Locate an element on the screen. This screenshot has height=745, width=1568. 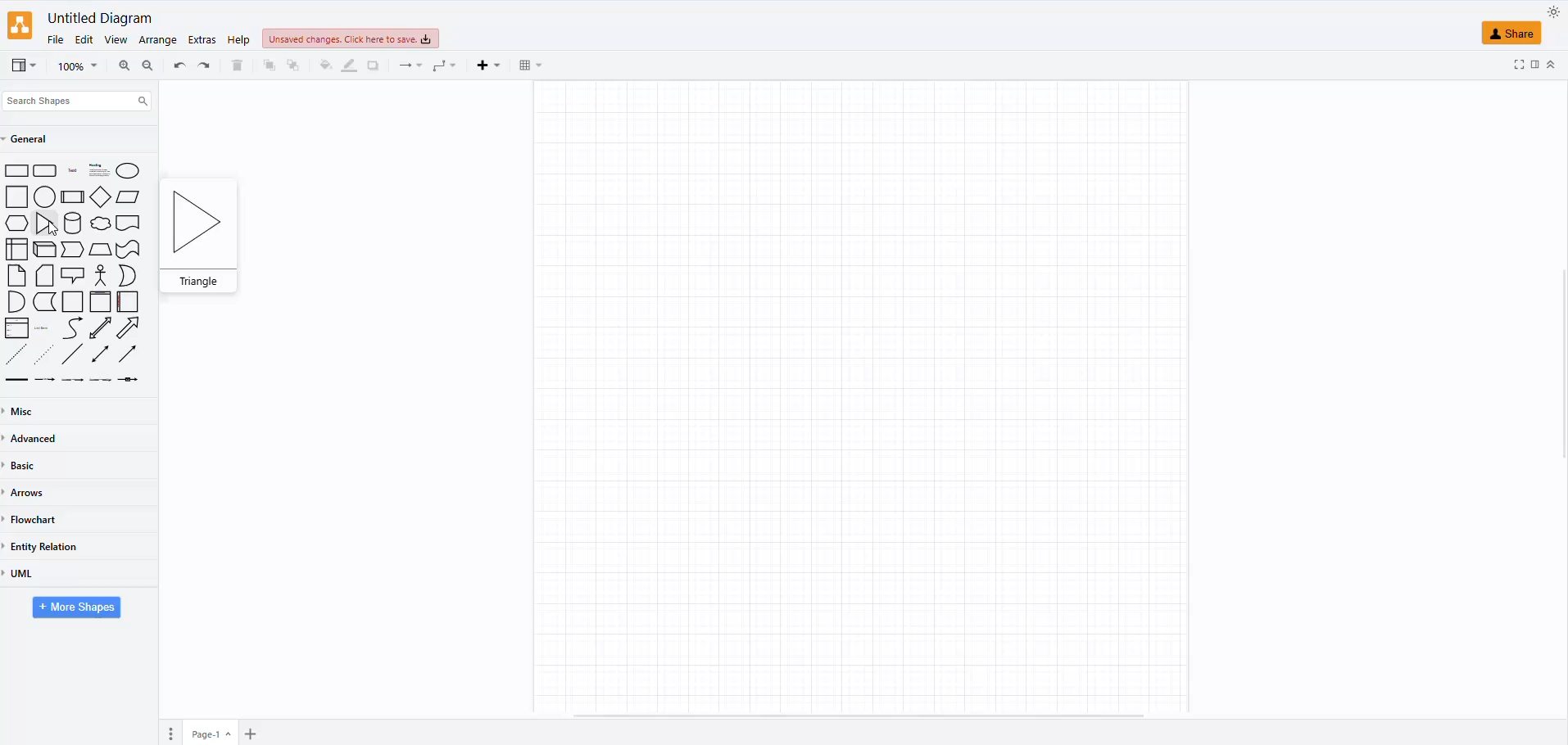
collapse is located at coordinates (1551, 65).